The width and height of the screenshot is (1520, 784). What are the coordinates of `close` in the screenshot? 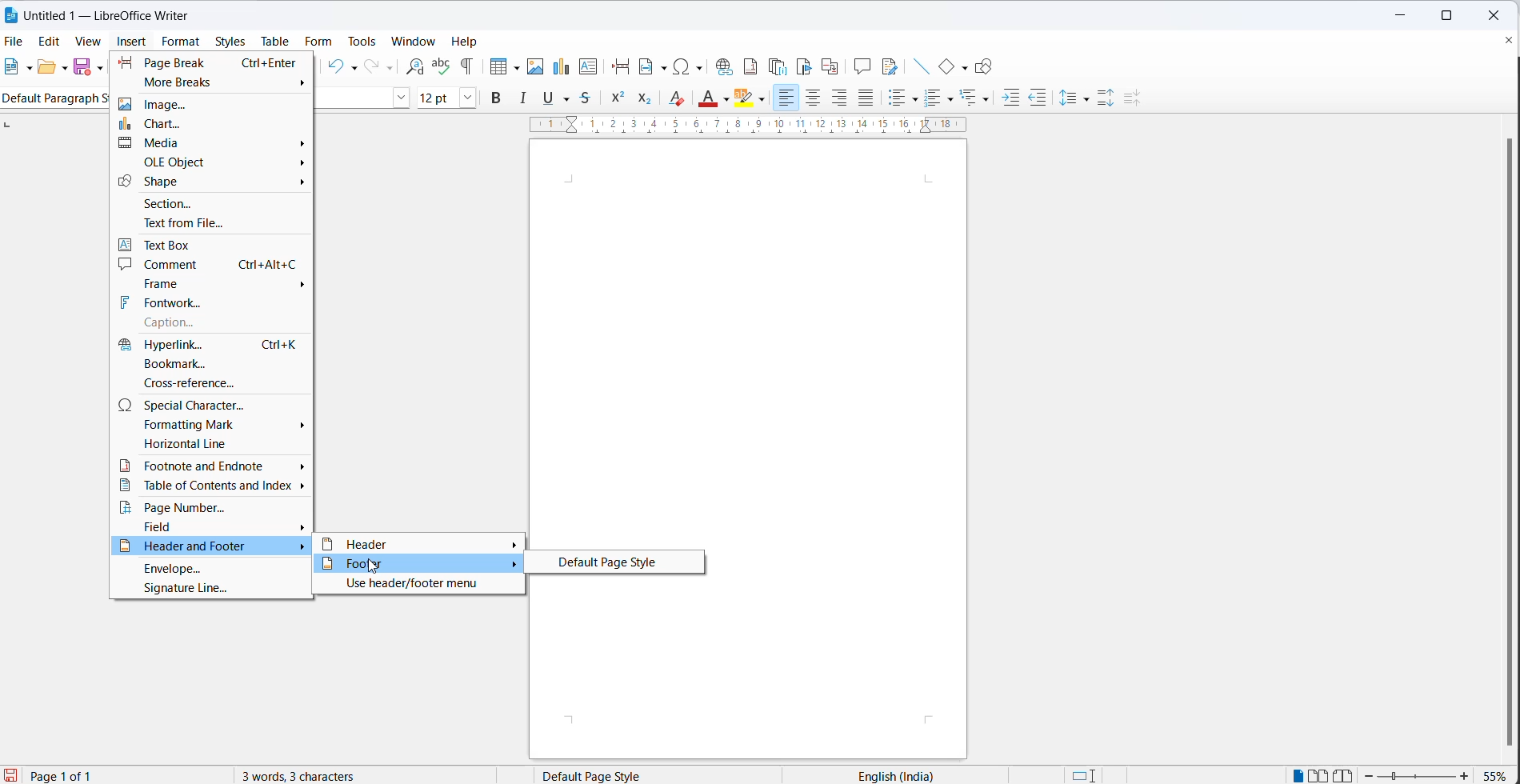 It's located at (1498, 14).